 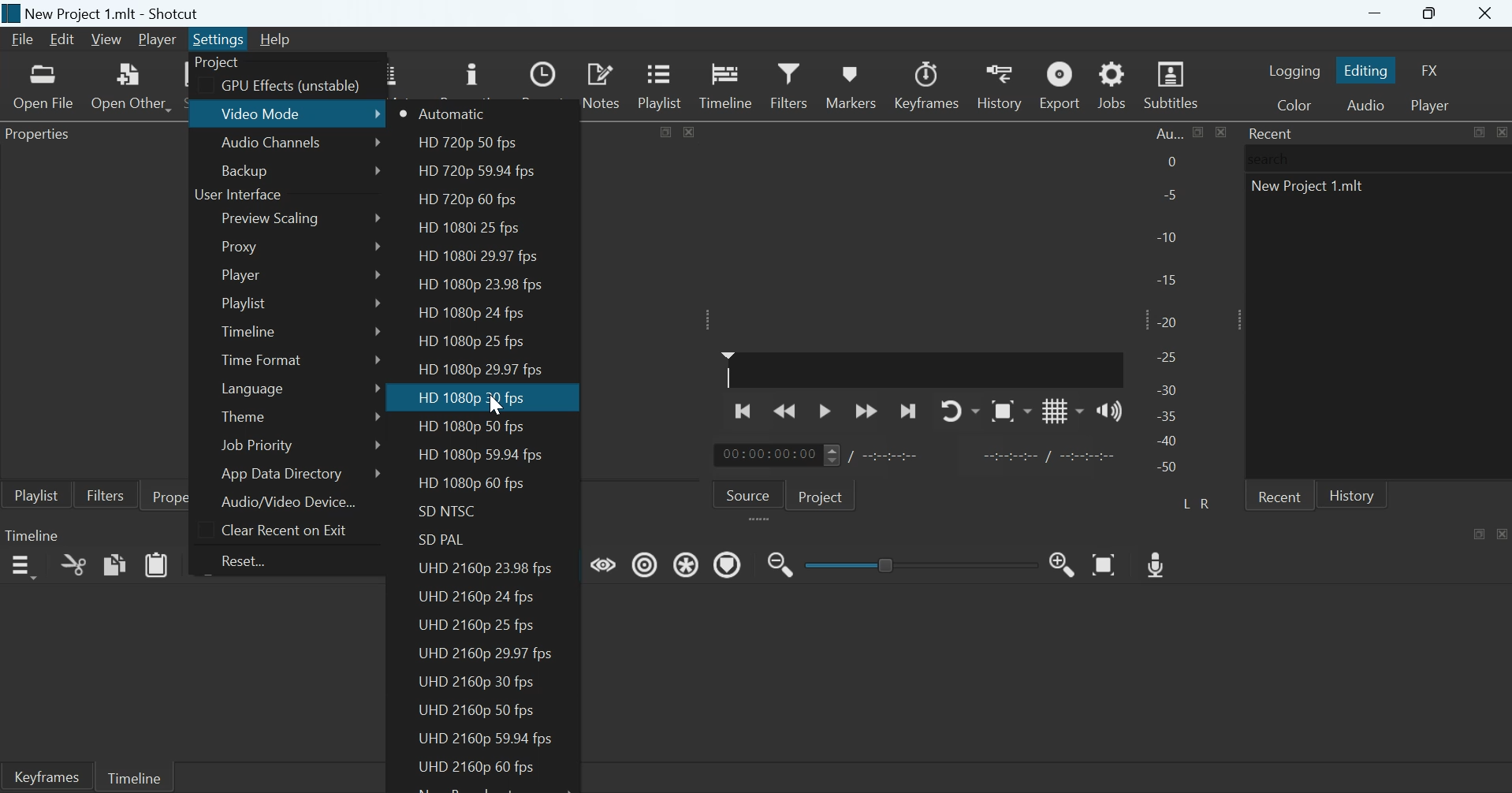 I want to click on Zoom timeline to fit, so click(x=1106, y=564).